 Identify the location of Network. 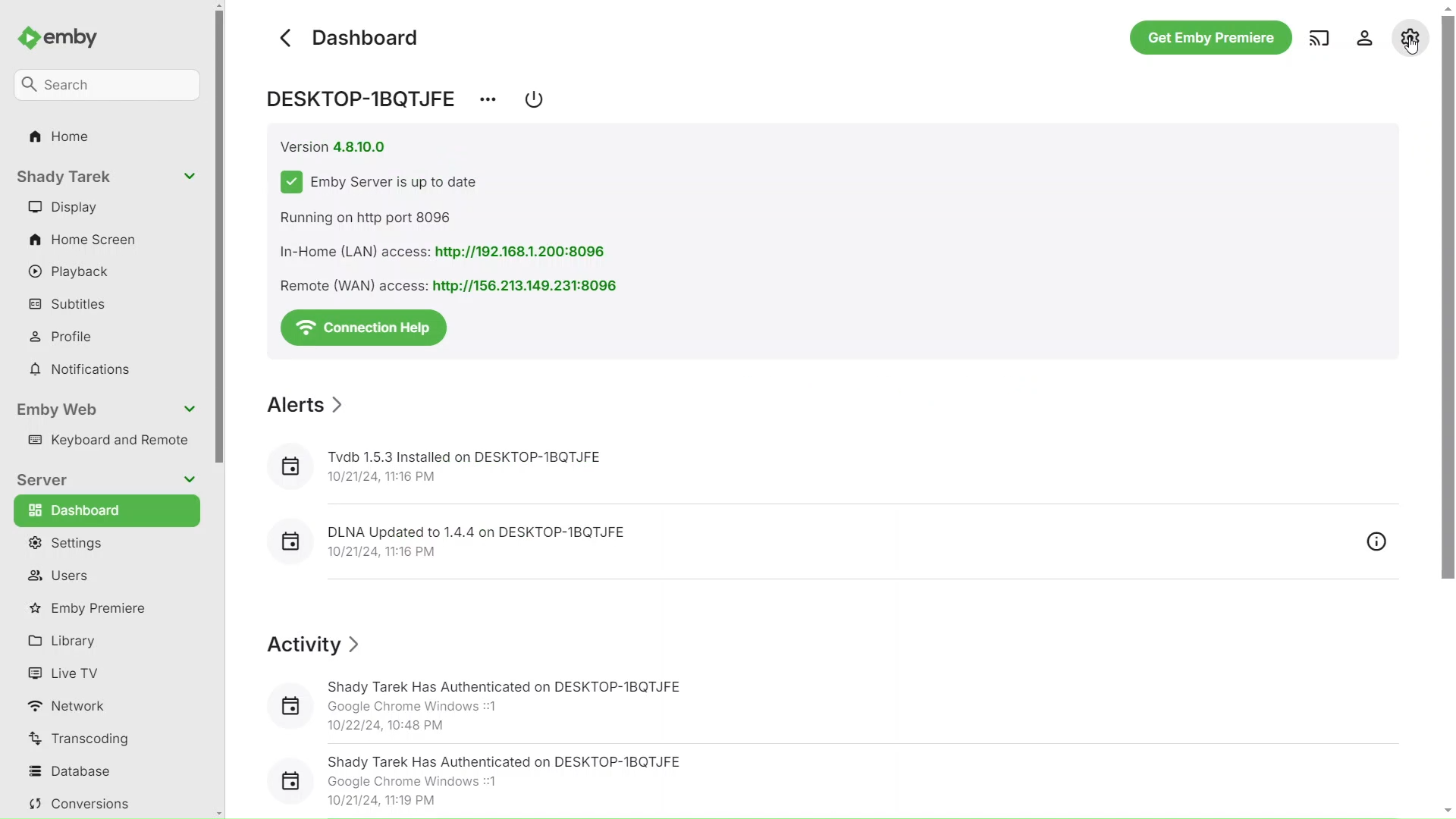
(64, 705).